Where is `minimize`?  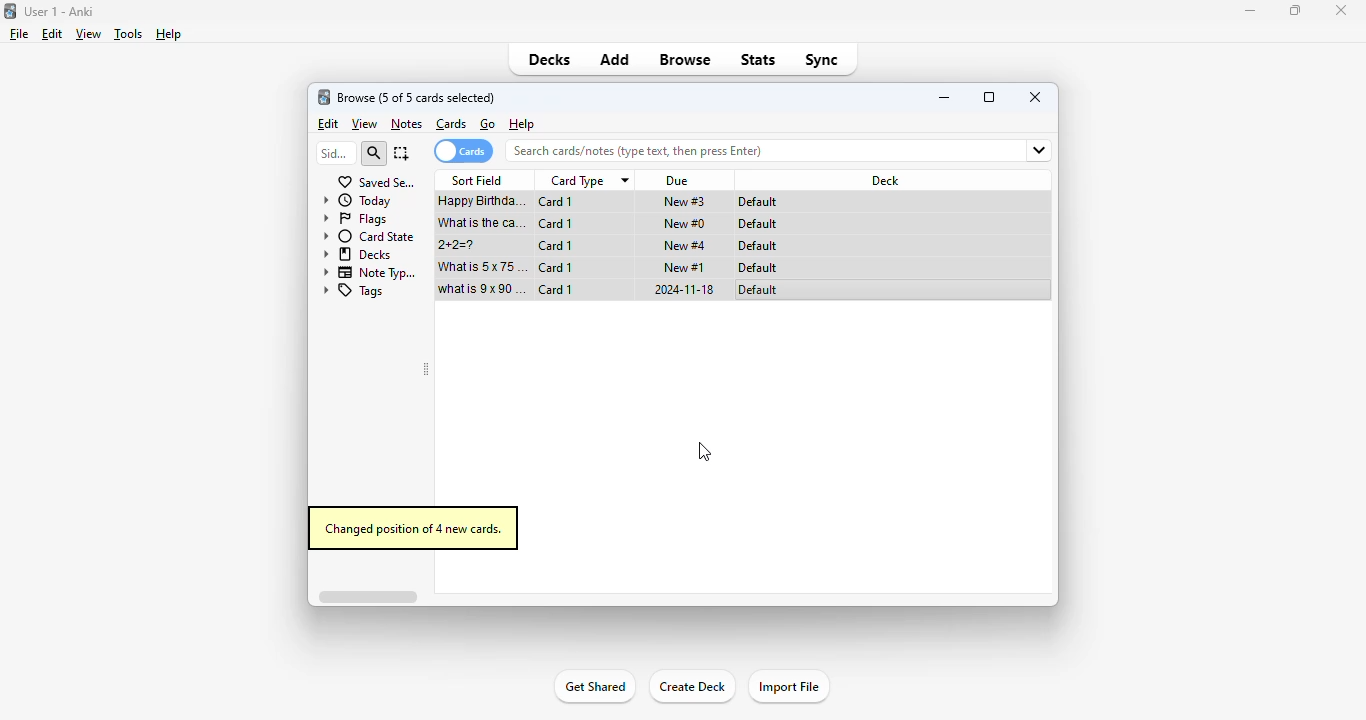
minimize is located at coordinates (946, 97).